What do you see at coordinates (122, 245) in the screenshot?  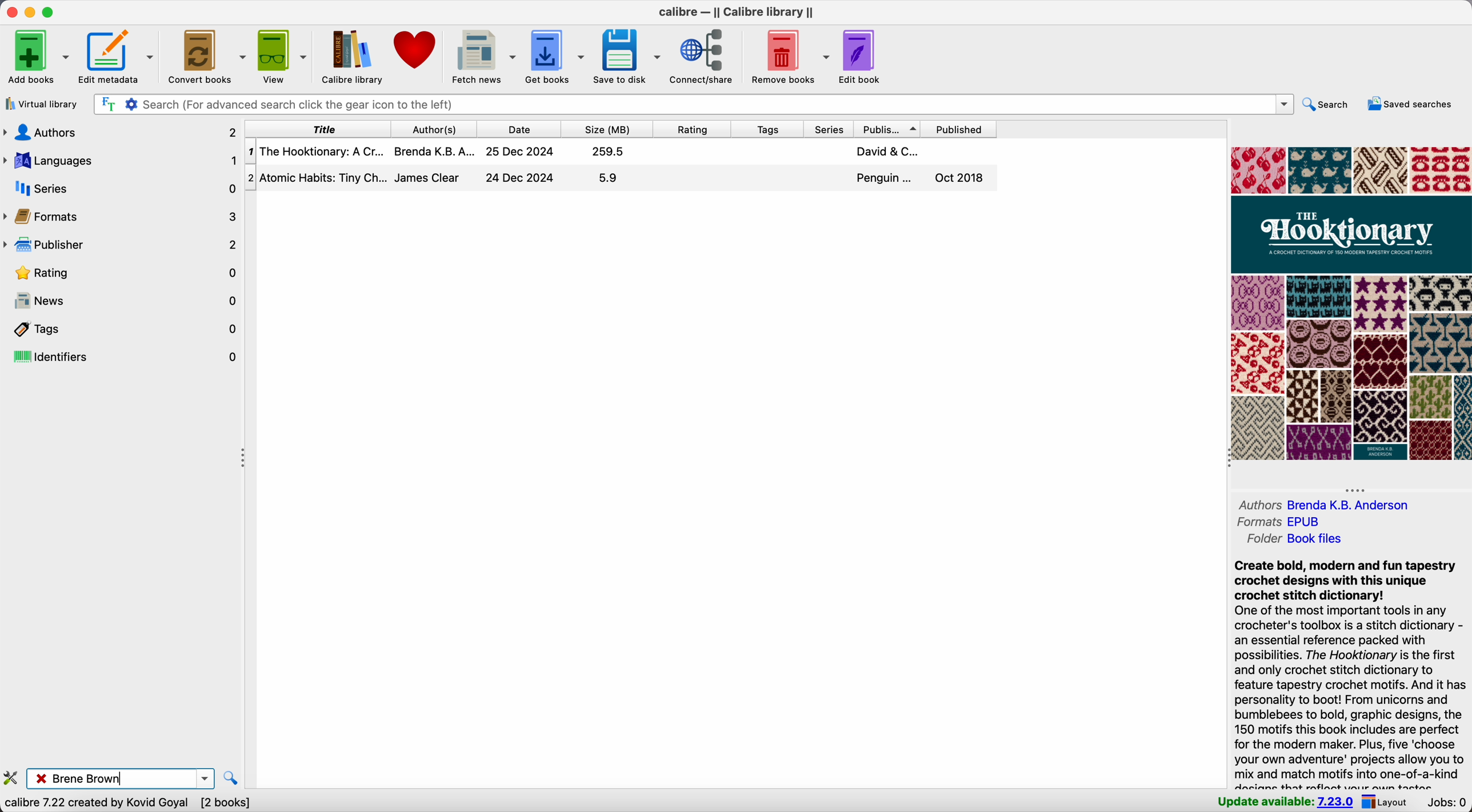 I see `publisher` at bounding box center [122, 245].